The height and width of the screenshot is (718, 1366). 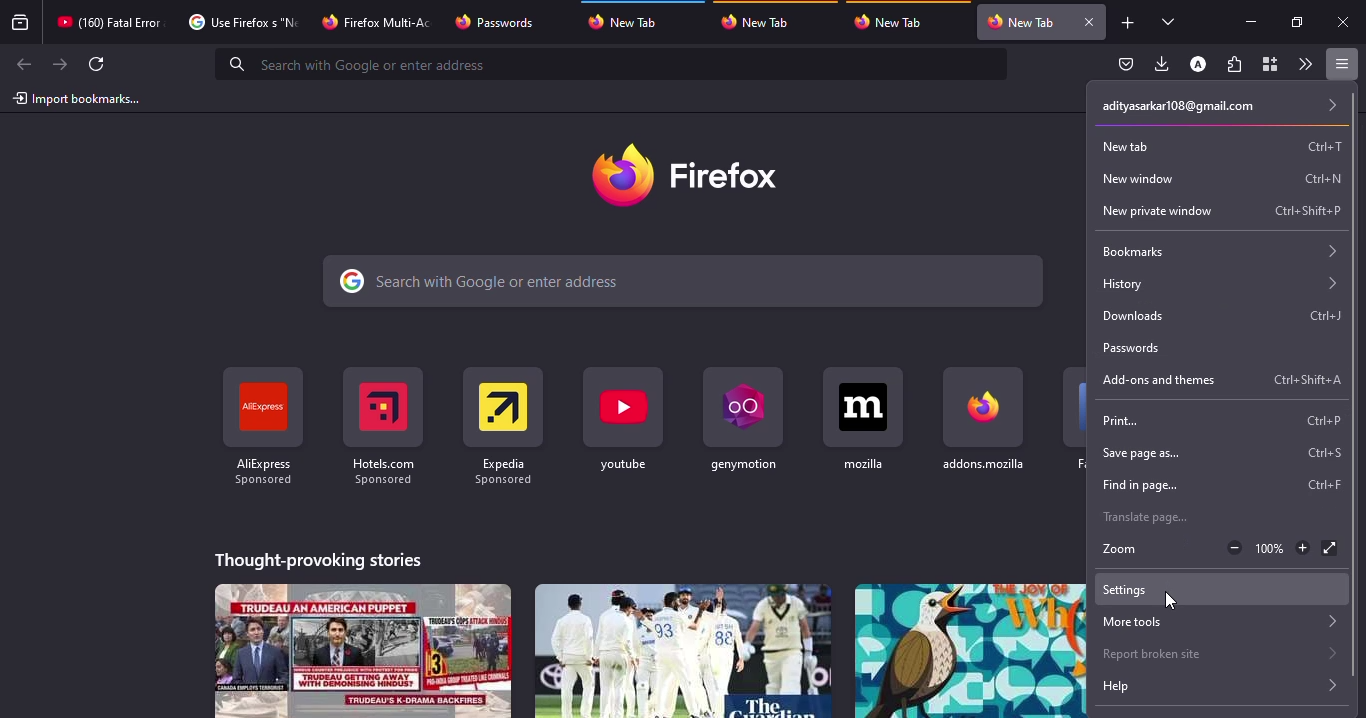 What do you see at coordinates (1088, 22) in the screenshot?
I see `close` at bounding box center [1088, 22].